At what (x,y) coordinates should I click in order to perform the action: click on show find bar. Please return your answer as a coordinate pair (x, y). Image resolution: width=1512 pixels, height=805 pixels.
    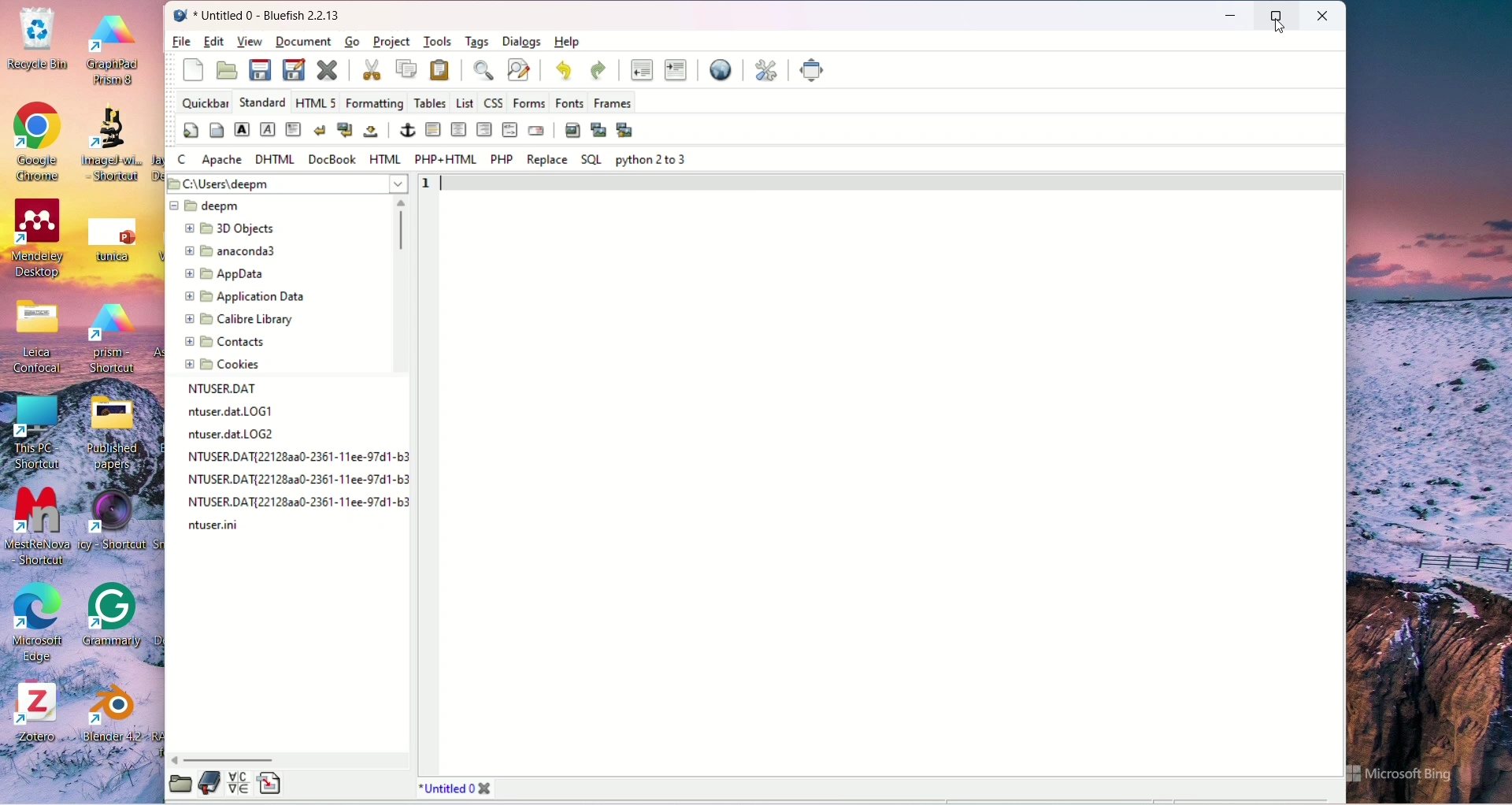
    Looking at the image, I should click on (489, 70).